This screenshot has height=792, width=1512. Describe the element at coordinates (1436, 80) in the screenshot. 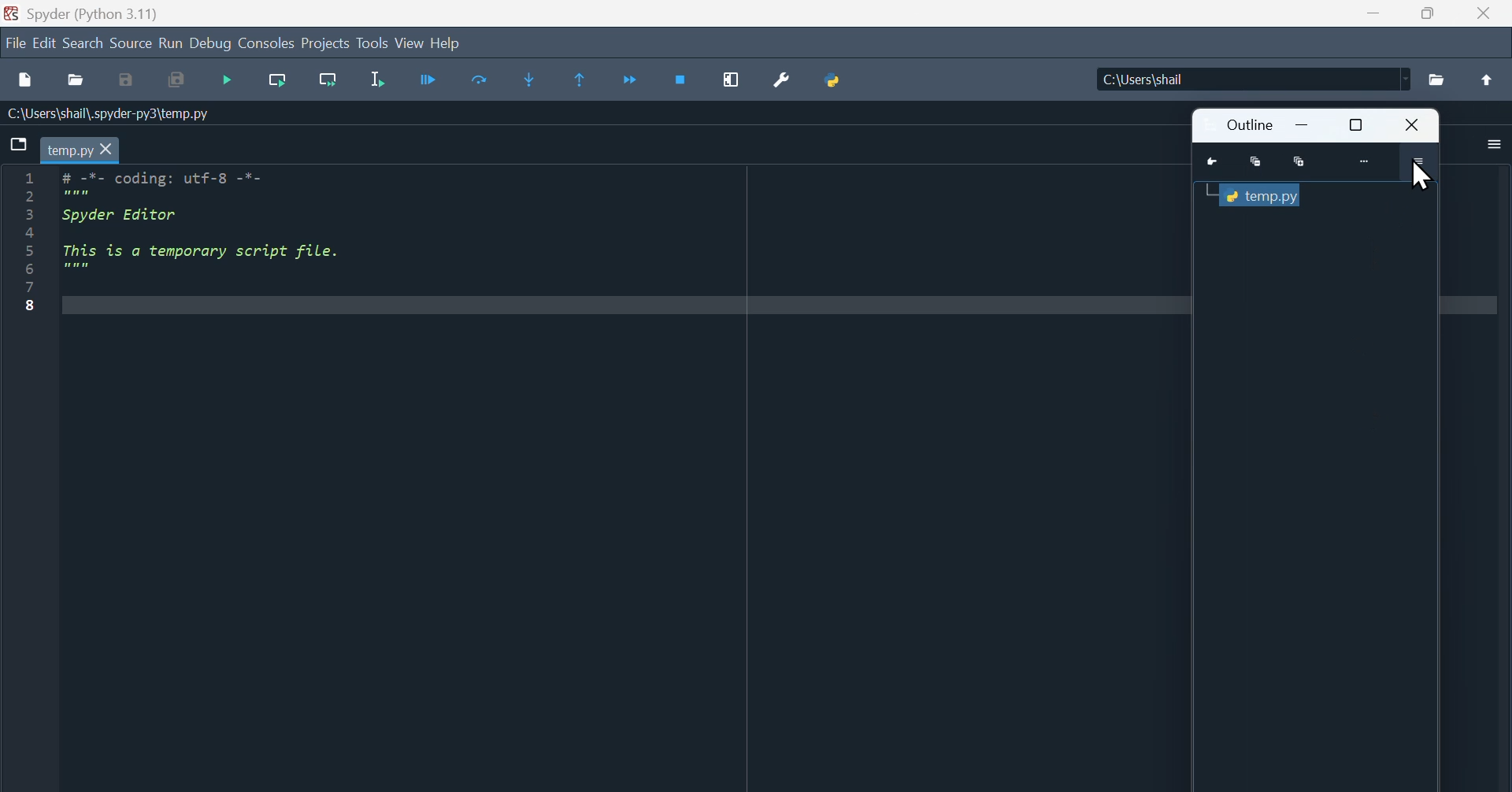

I see `File` at that location.